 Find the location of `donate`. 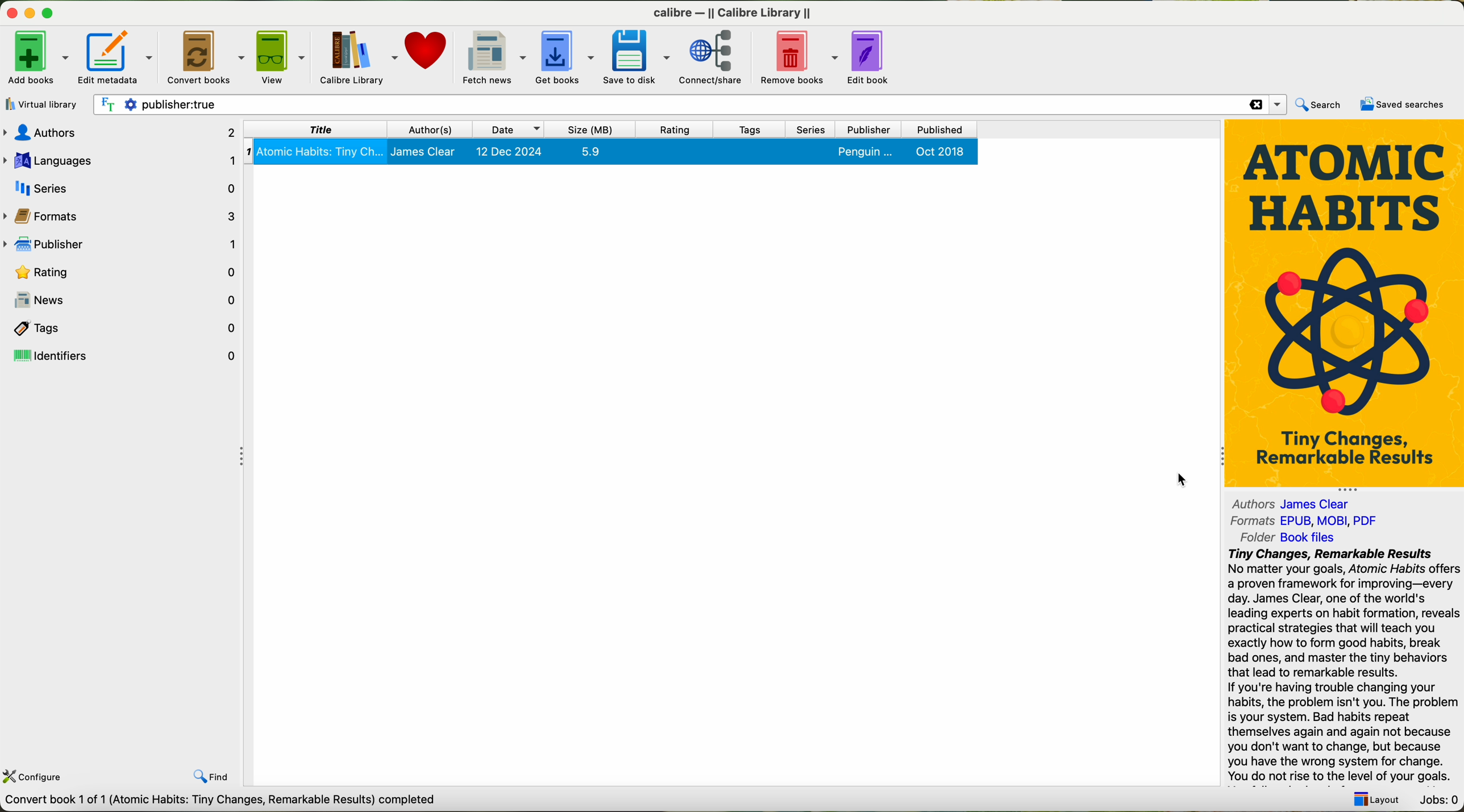

donate is located at coordinates (428, 49).